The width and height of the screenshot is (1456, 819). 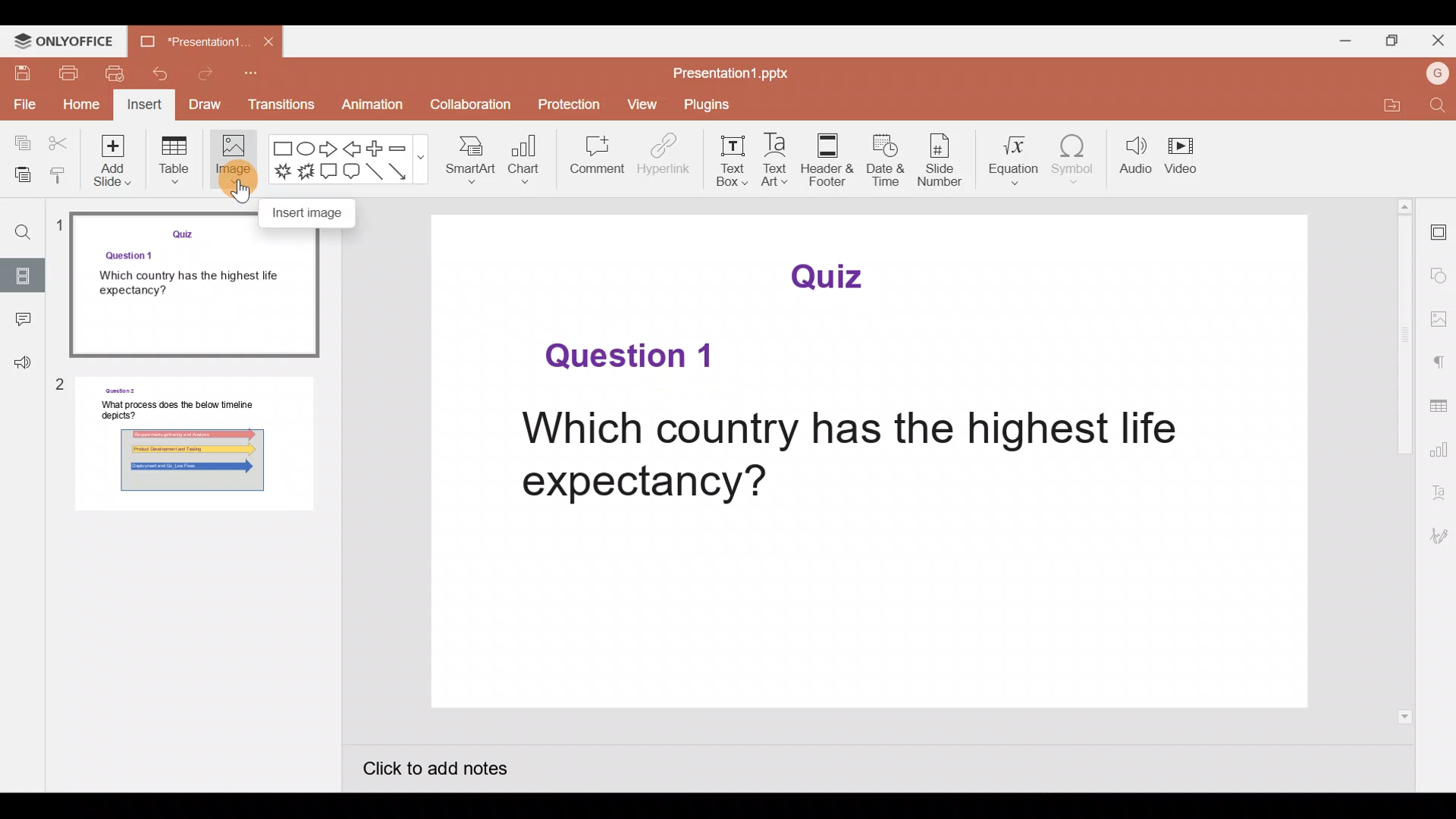 What do you see at coordinates (215, 71) in the screenshot?
I see `Redo` at bounding box center [215, 71].